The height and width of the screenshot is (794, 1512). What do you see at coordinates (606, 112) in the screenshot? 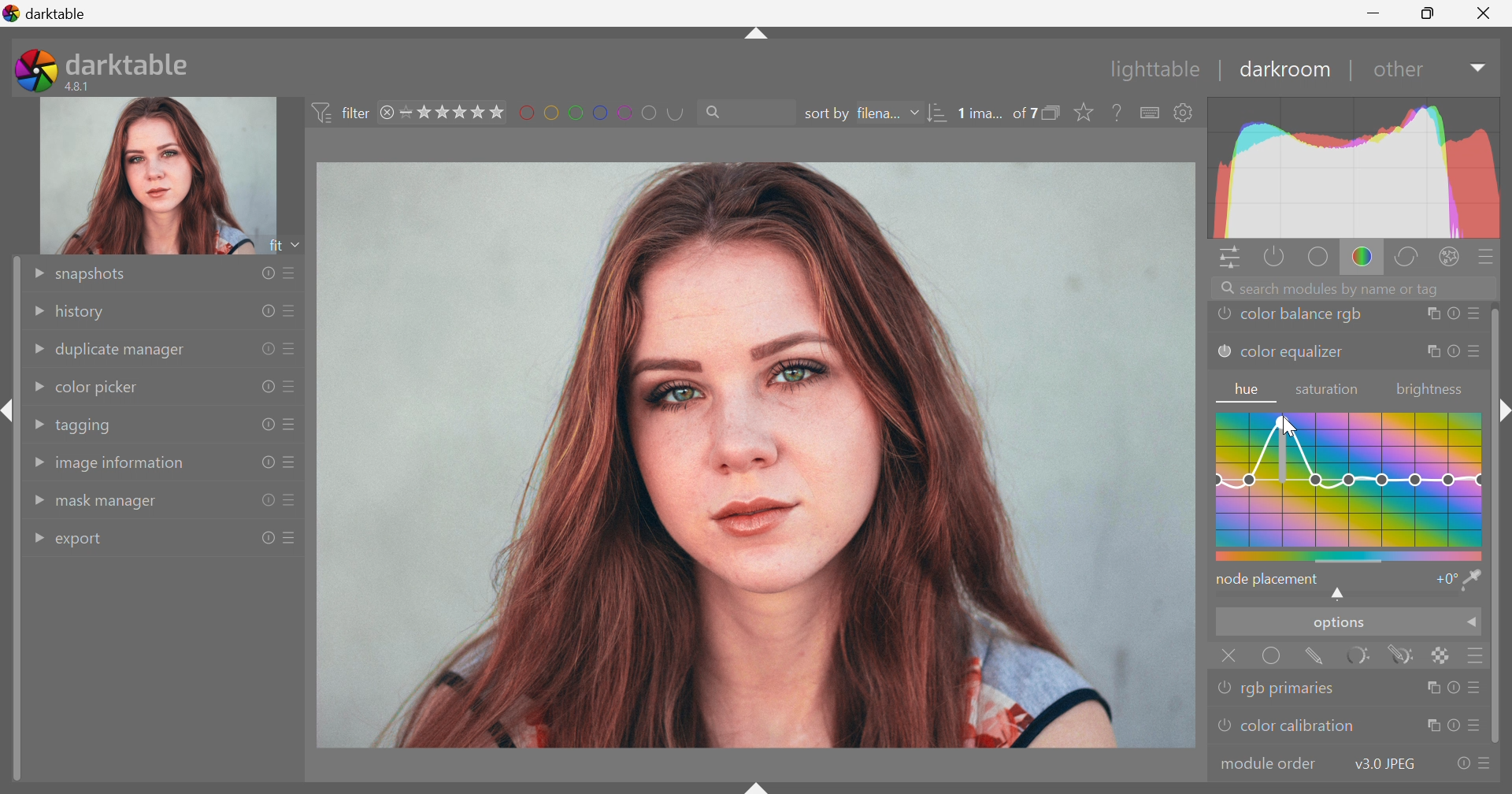
I see `filter by images color label` at bounding box center [606, 112].